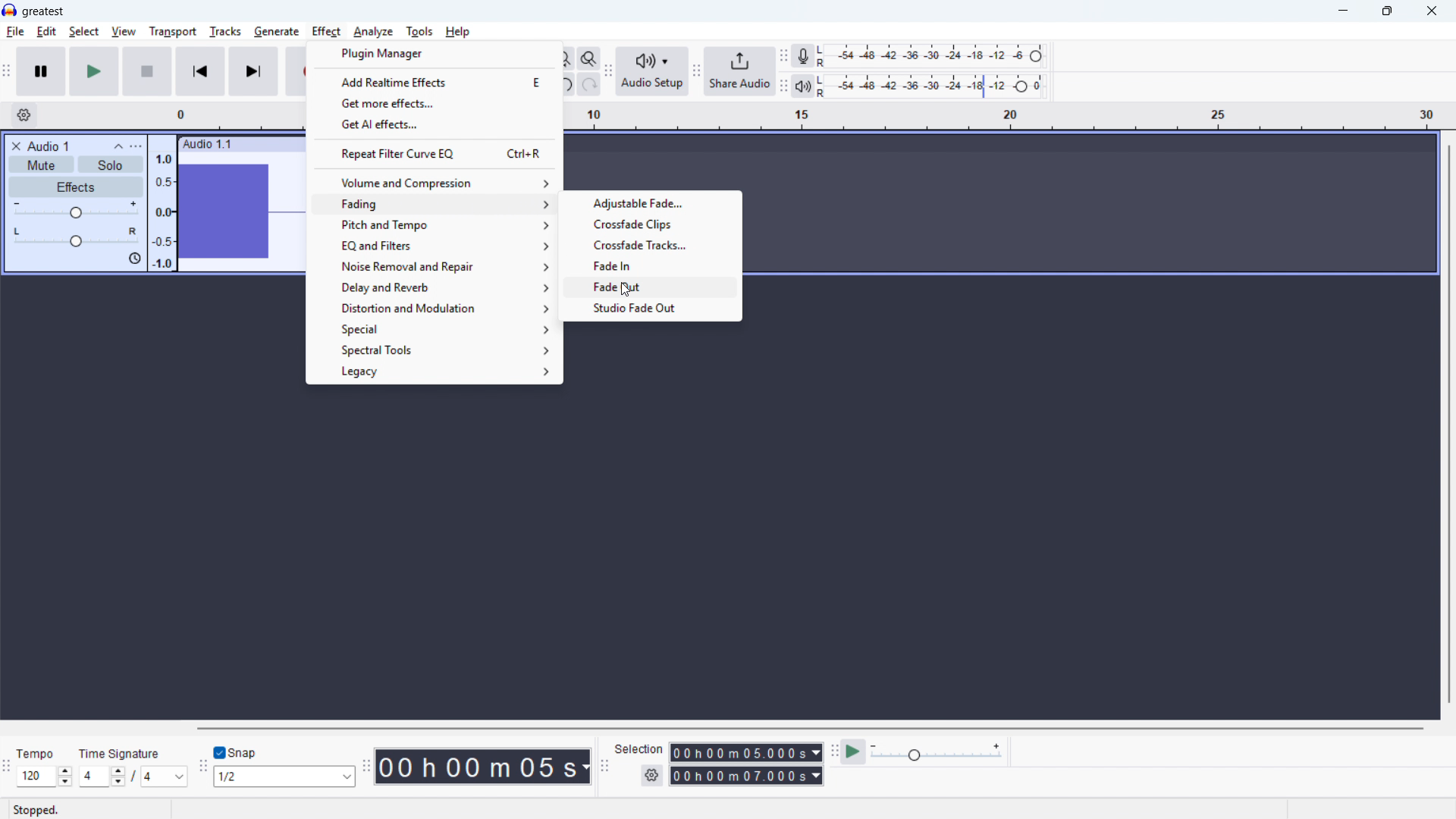 The height and width of the screenshot is (819, 1456). I want to click on Pause , so click(41, 71).